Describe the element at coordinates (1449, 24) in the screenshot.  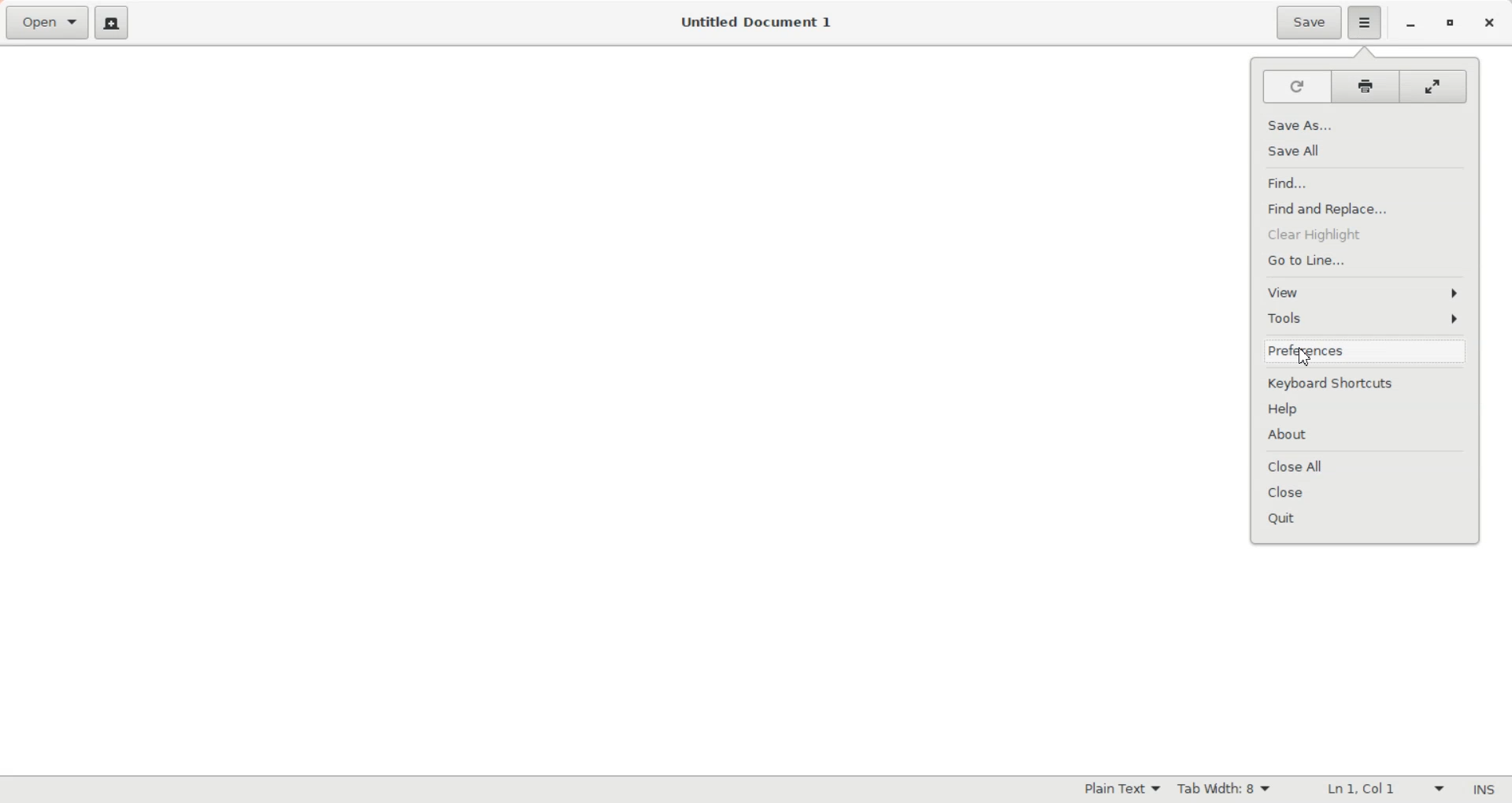
I see `Maximize` at that location.